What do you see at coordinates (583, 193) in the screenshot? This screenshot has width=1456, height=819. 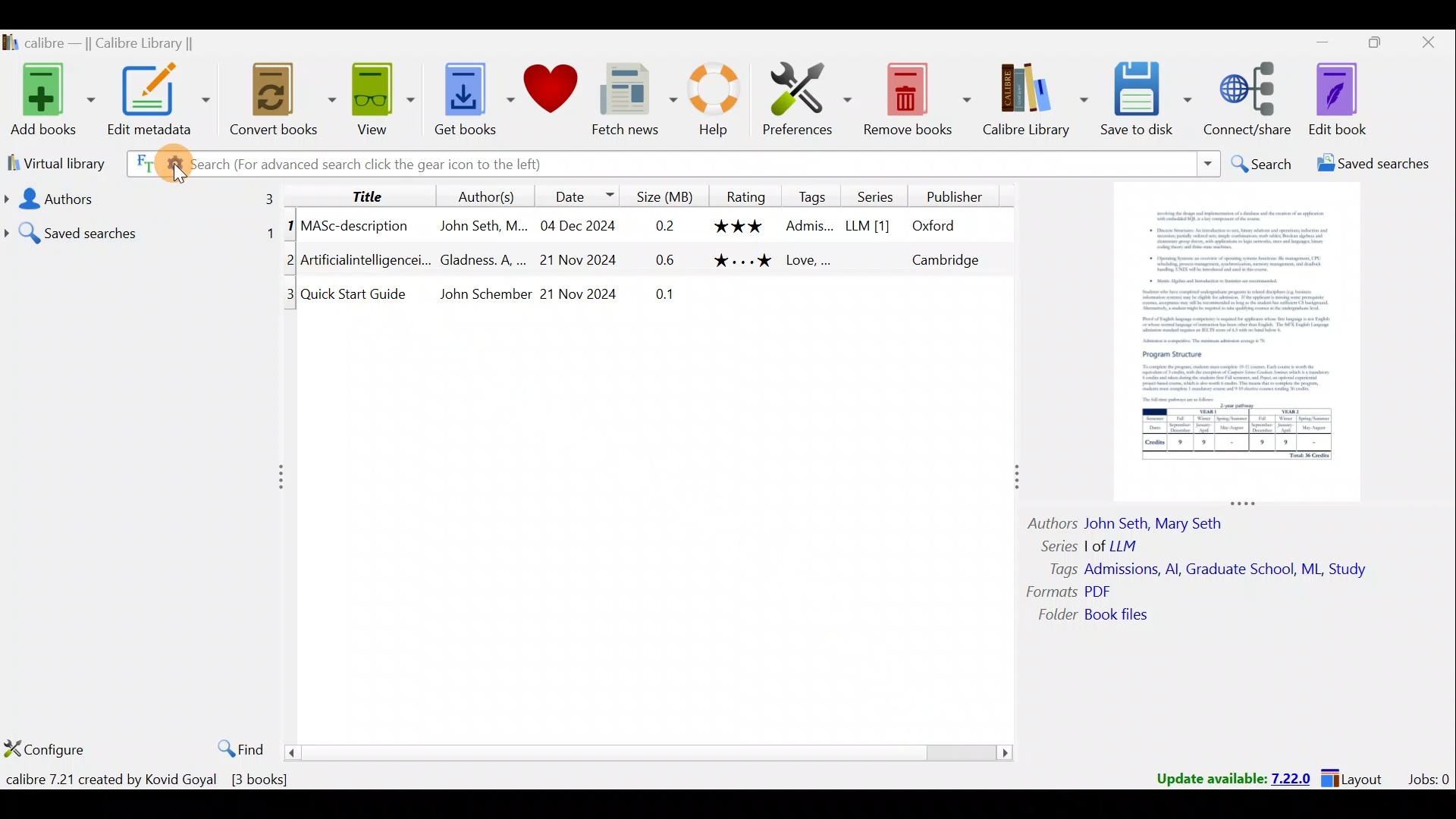 I see `Date` at bounding box center [583, 193].